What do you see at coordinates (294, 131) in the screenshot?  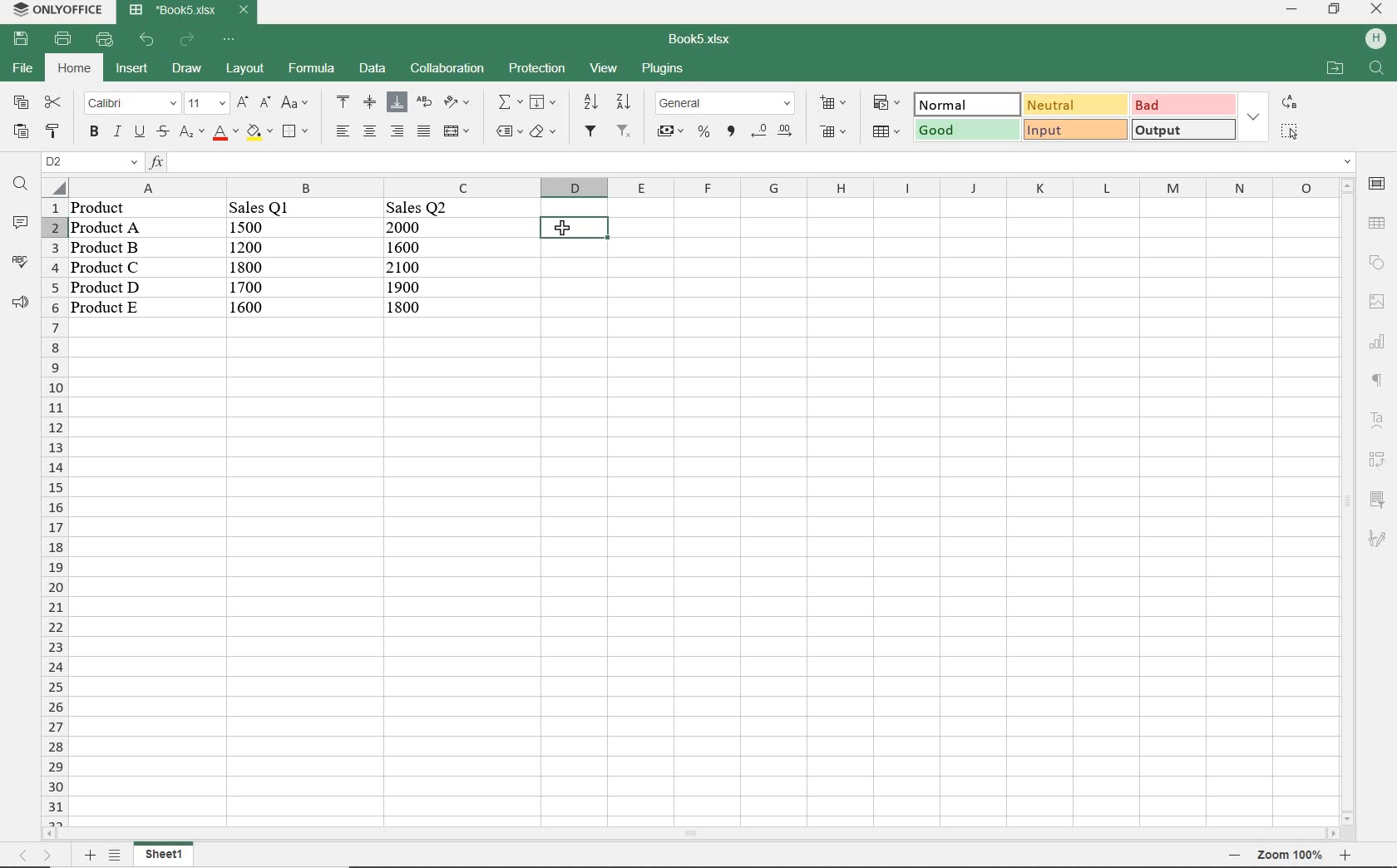 I see `borders` at bounding box center [294, 131].